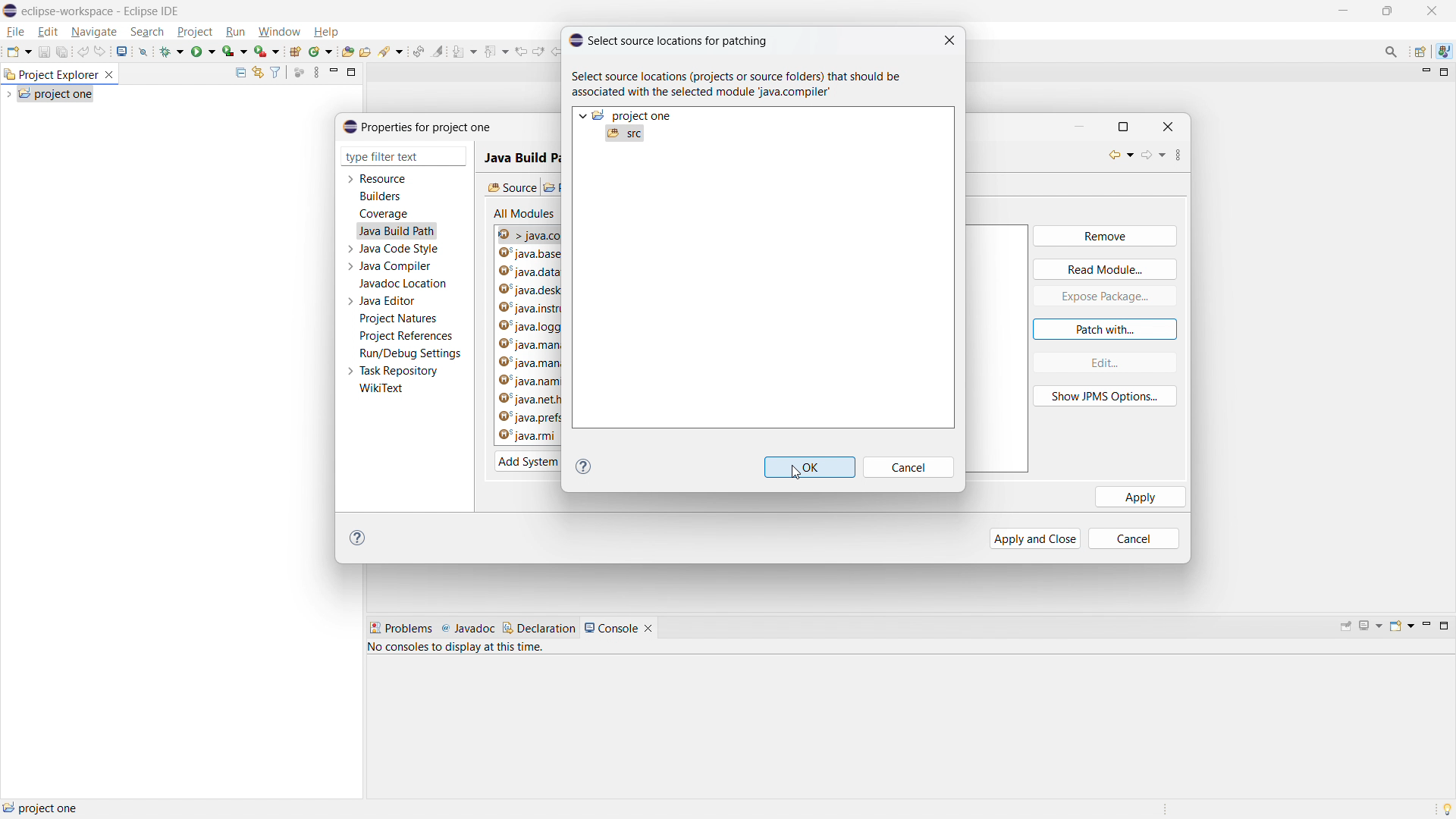 The image size is (1456, 819). I want to click on expand project one, so click(582, 115).